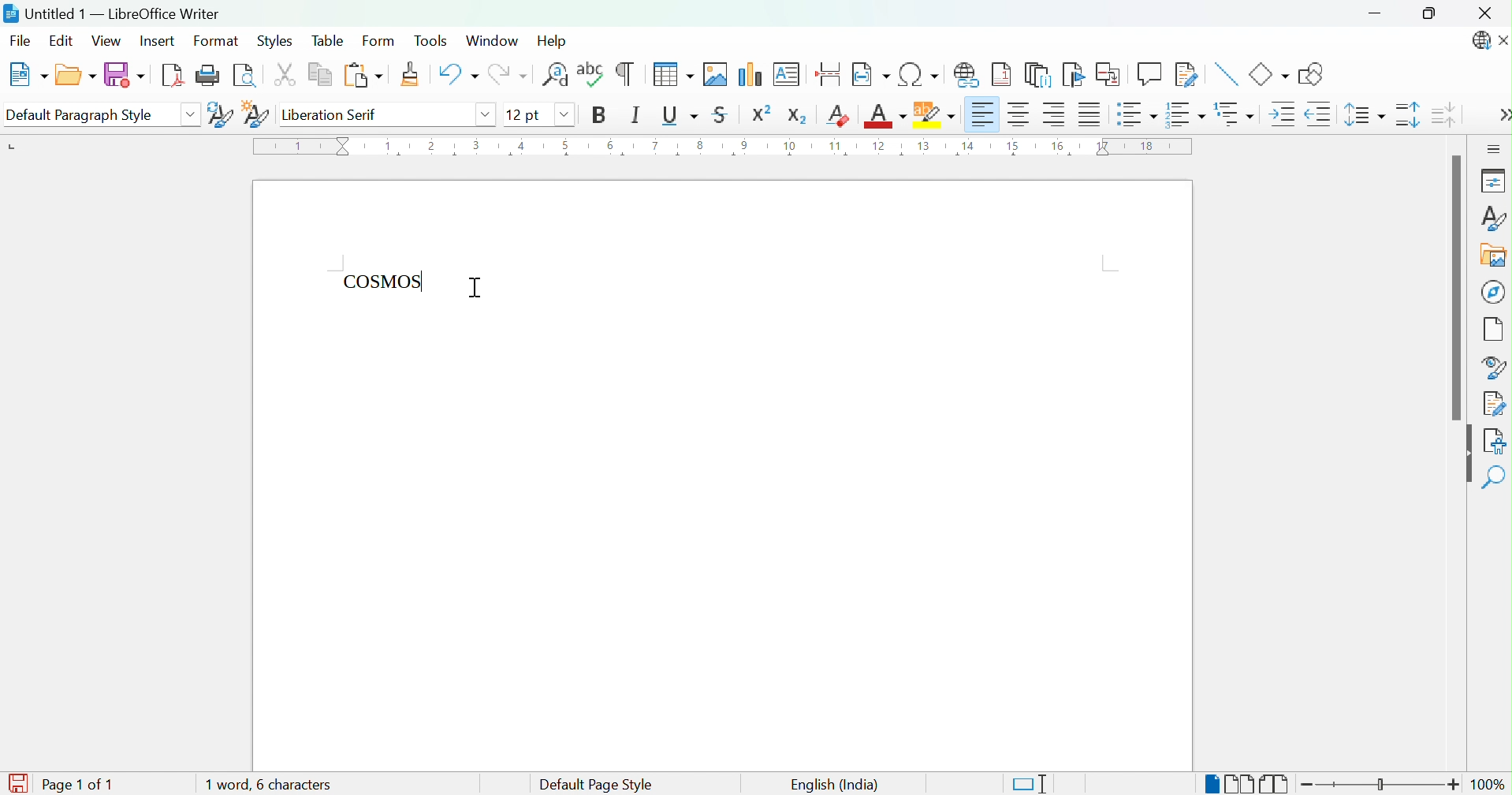 The width and height of the screenshot is (1512, 795). What do you see at coordinates (1236, 115) in the screenshot?
I see `Select outline format` at bounding box center [1236, 115].